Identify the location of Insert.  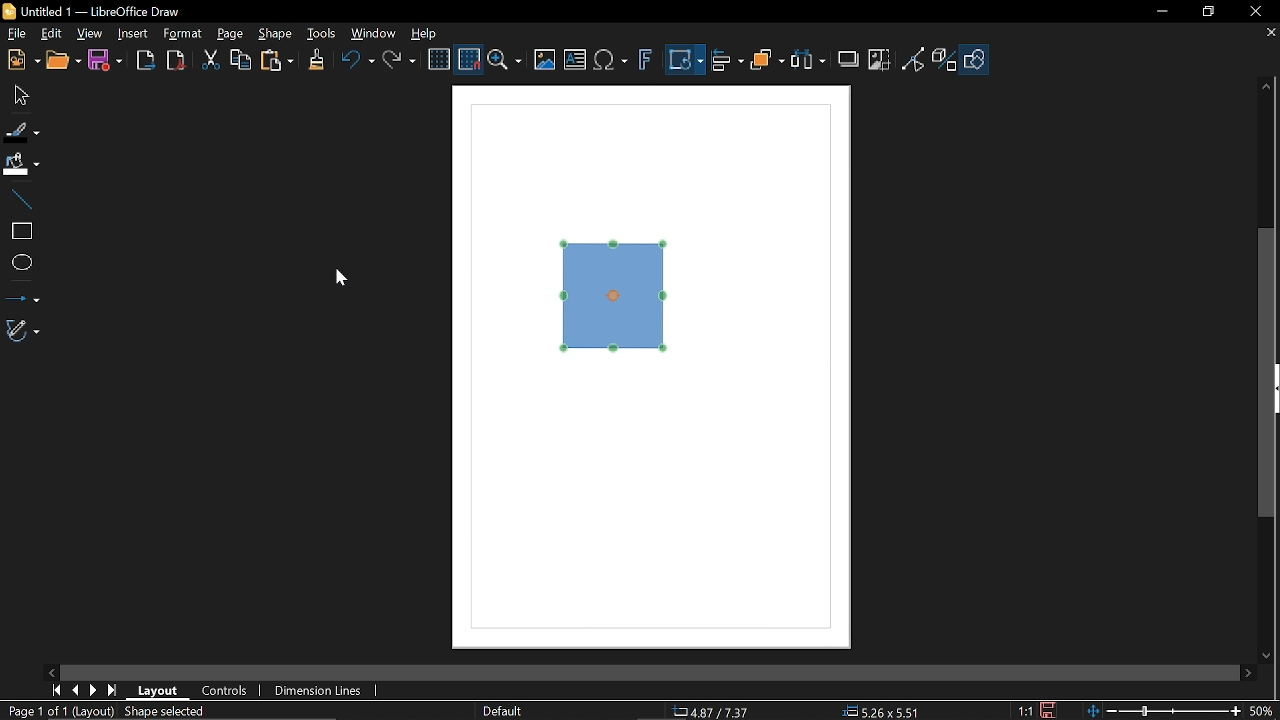
(131, 33).